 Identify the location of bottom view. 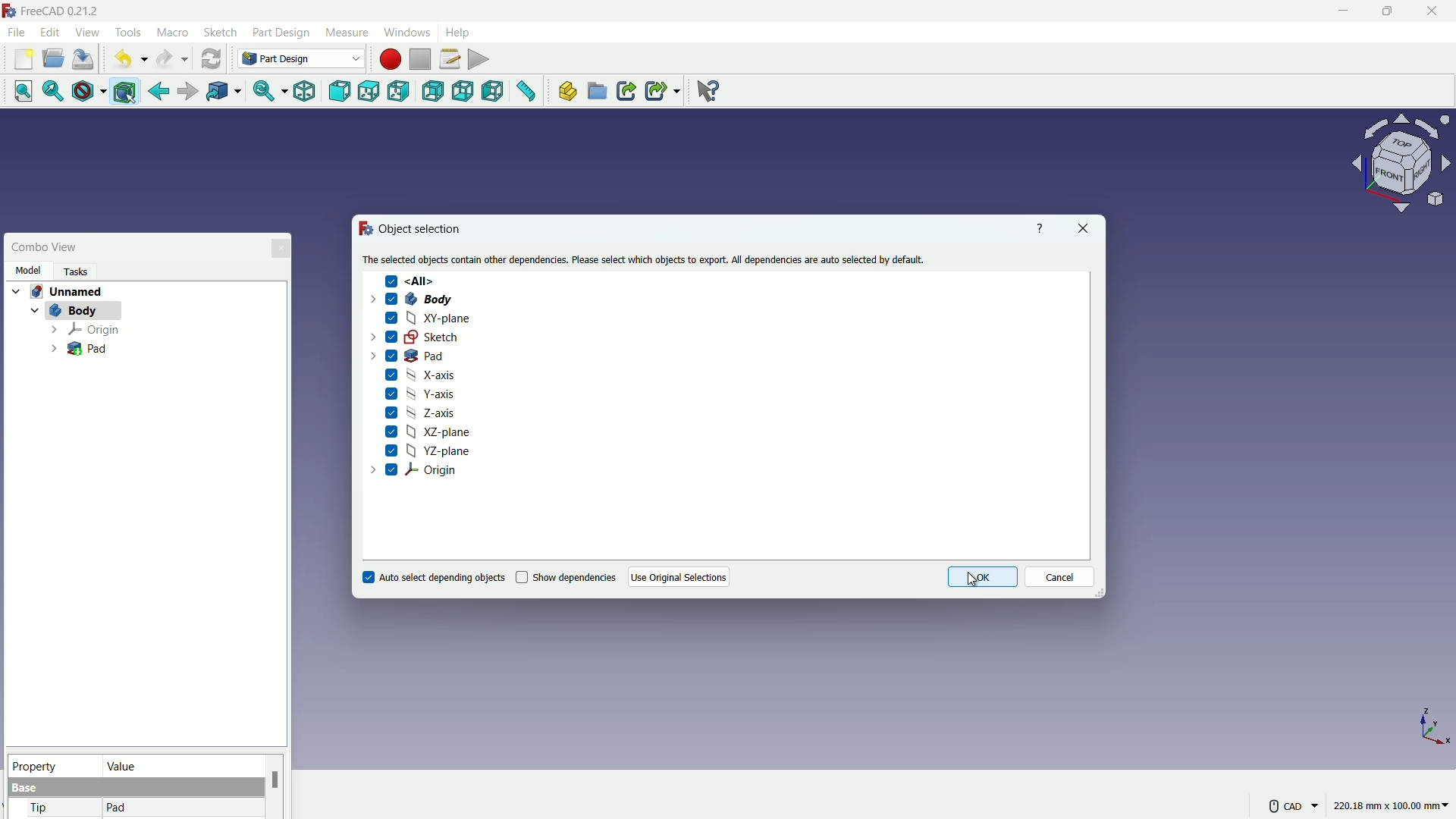
(465, 92).